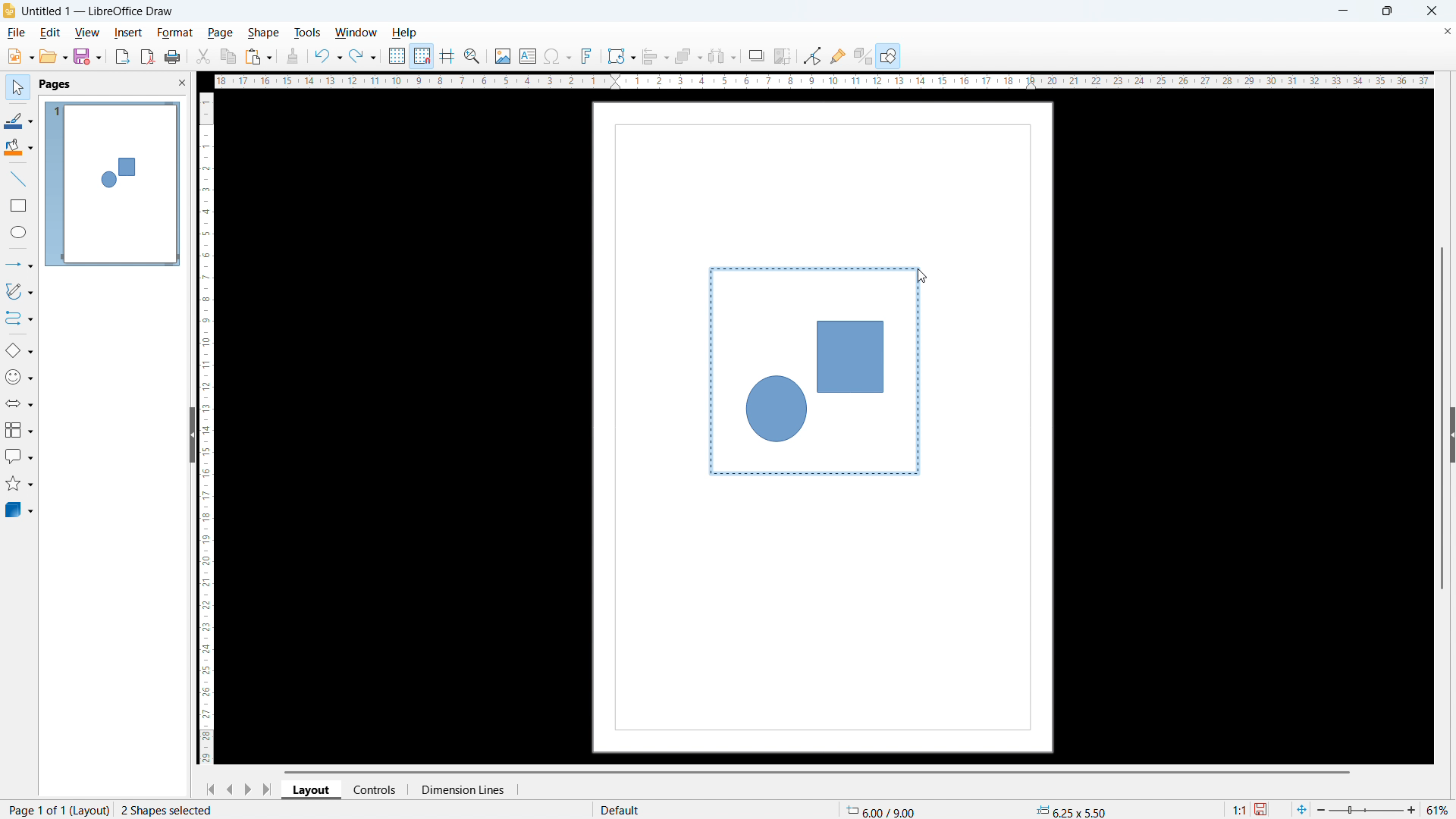 Image resolution: width=1456 pixels, height=819 pixels. What do you see at coordinates (503, 57) in the screenshot?
I see `insert image` at bounding box center [503, 57].